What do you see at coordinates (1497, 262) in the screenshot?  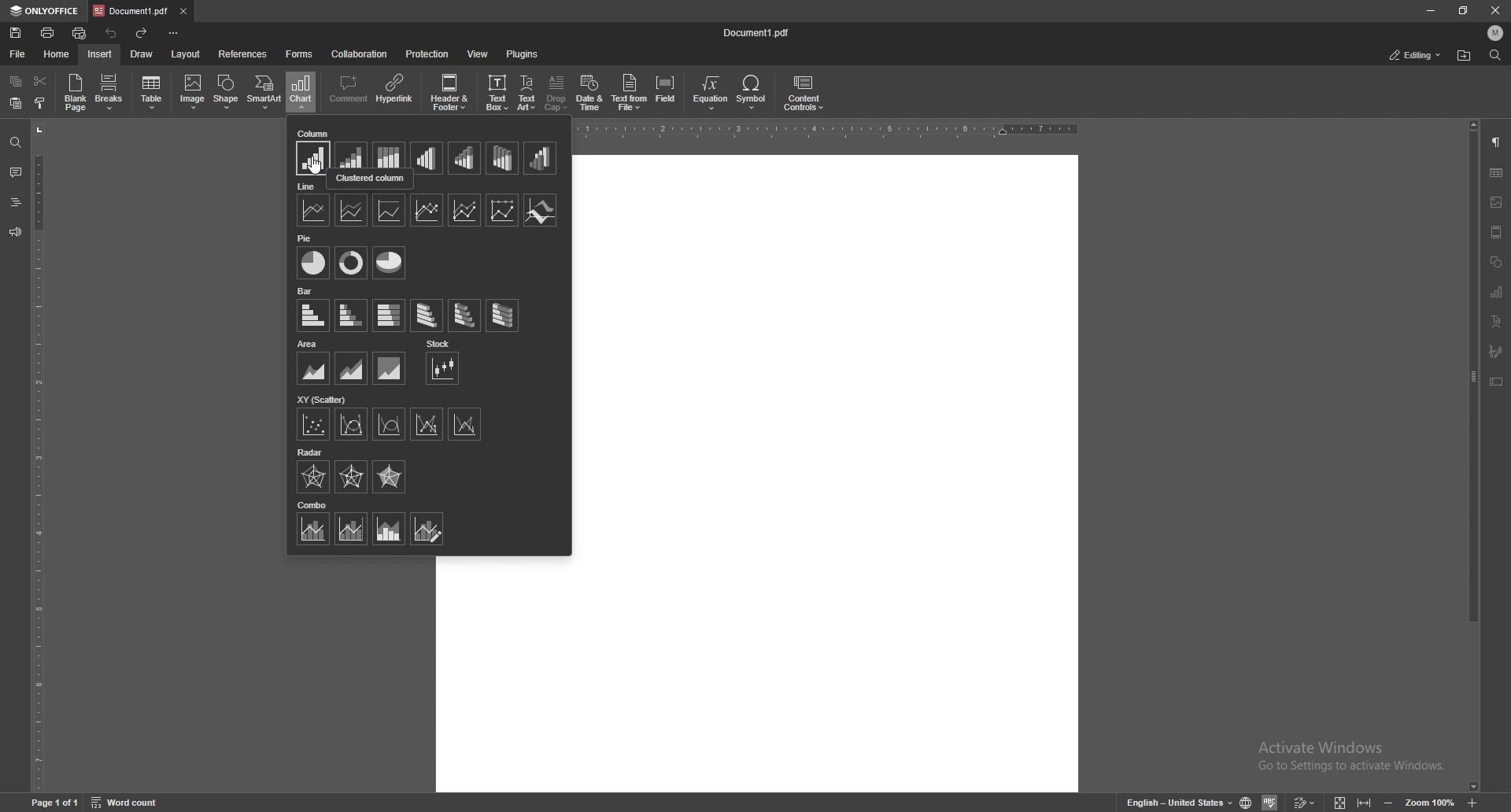 I see `shapes` at bounding box center [1497, 262].